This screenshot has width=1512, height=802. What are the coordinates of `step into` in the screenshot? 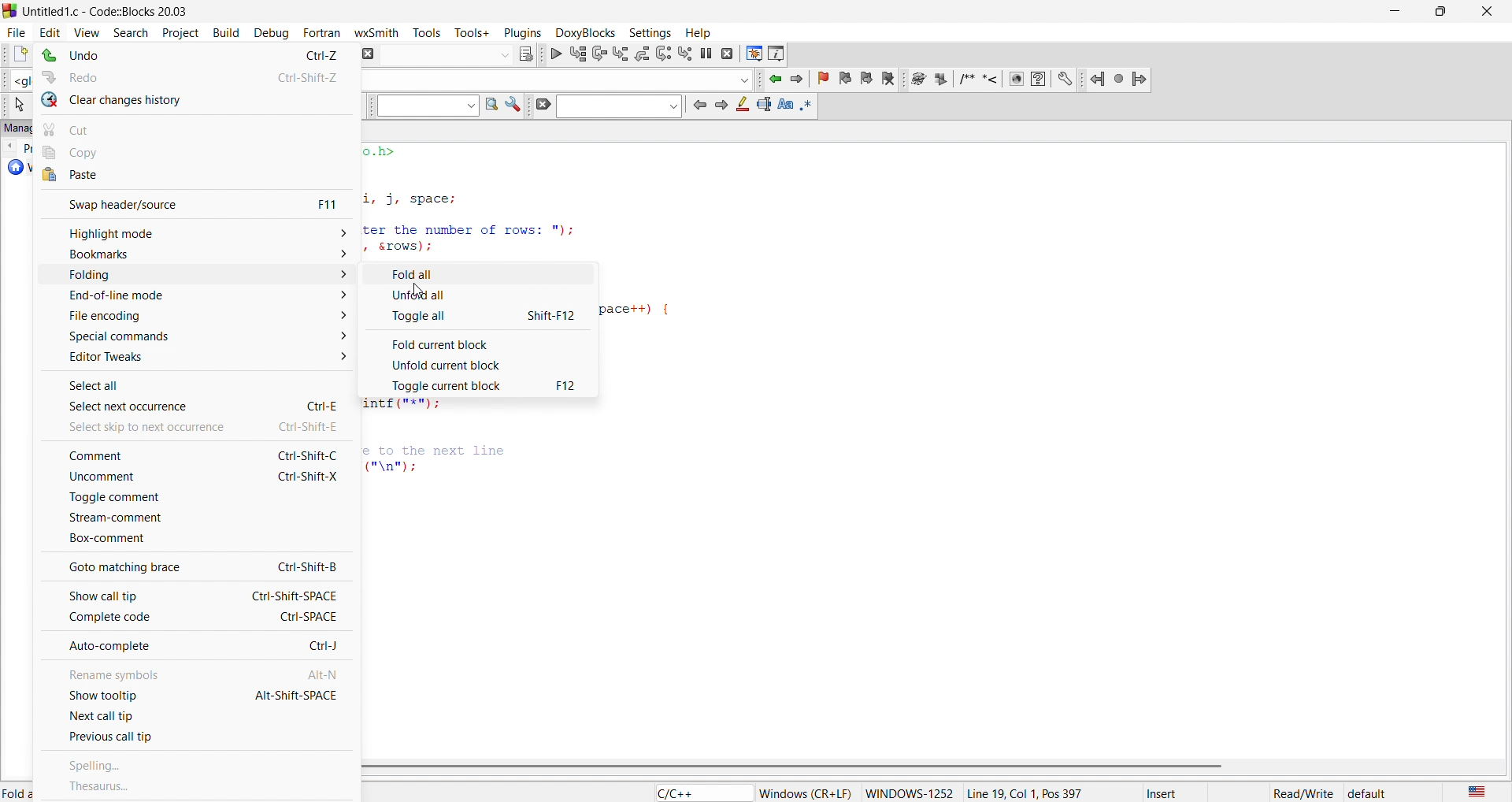 It's located at (621, 54).